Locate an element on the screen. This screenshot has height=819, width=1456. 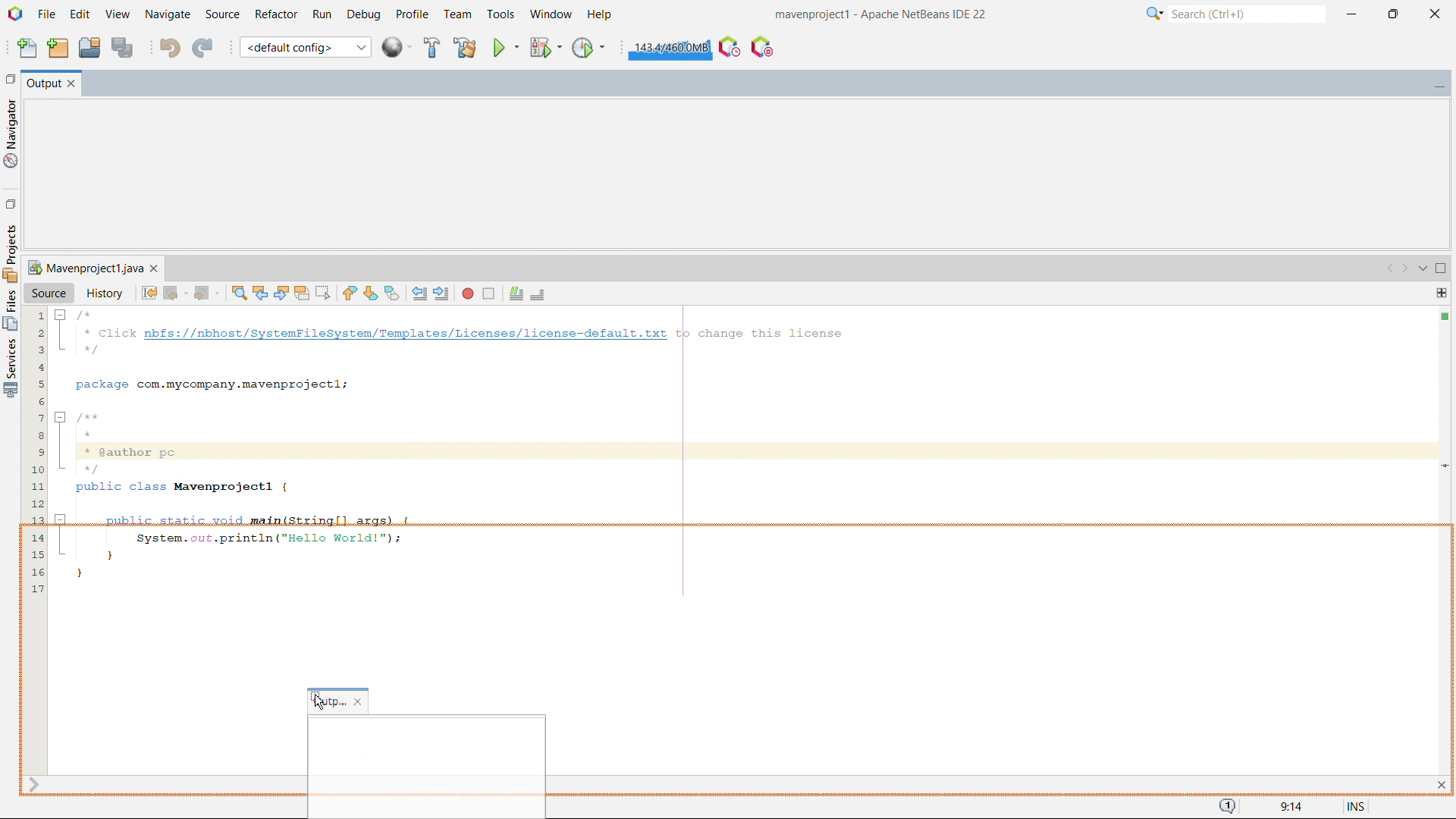
refactor is located at coordinates (277, 14).